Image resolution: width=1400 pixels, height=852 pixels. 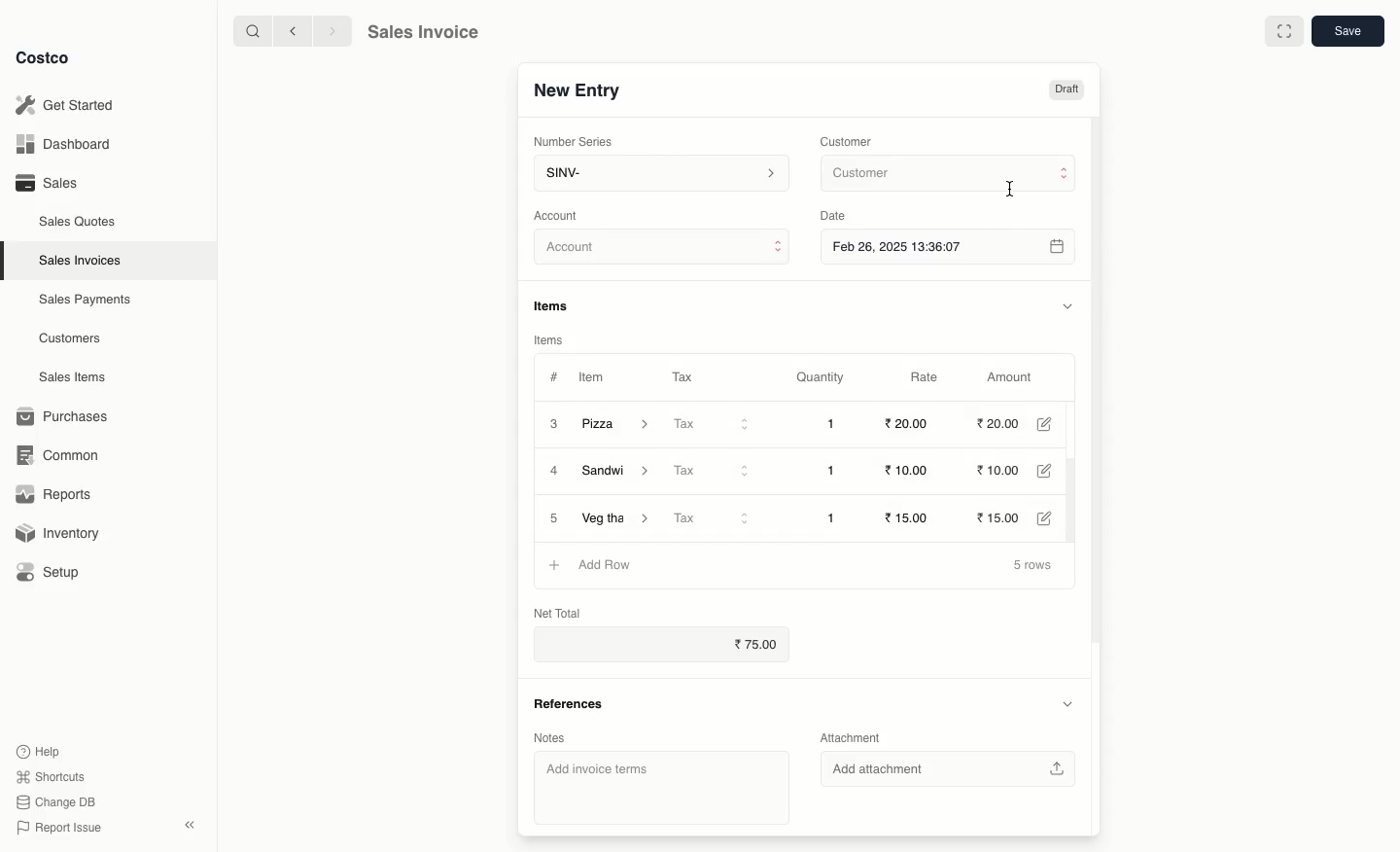 I want to click on 1, so click(x=834, y=516).